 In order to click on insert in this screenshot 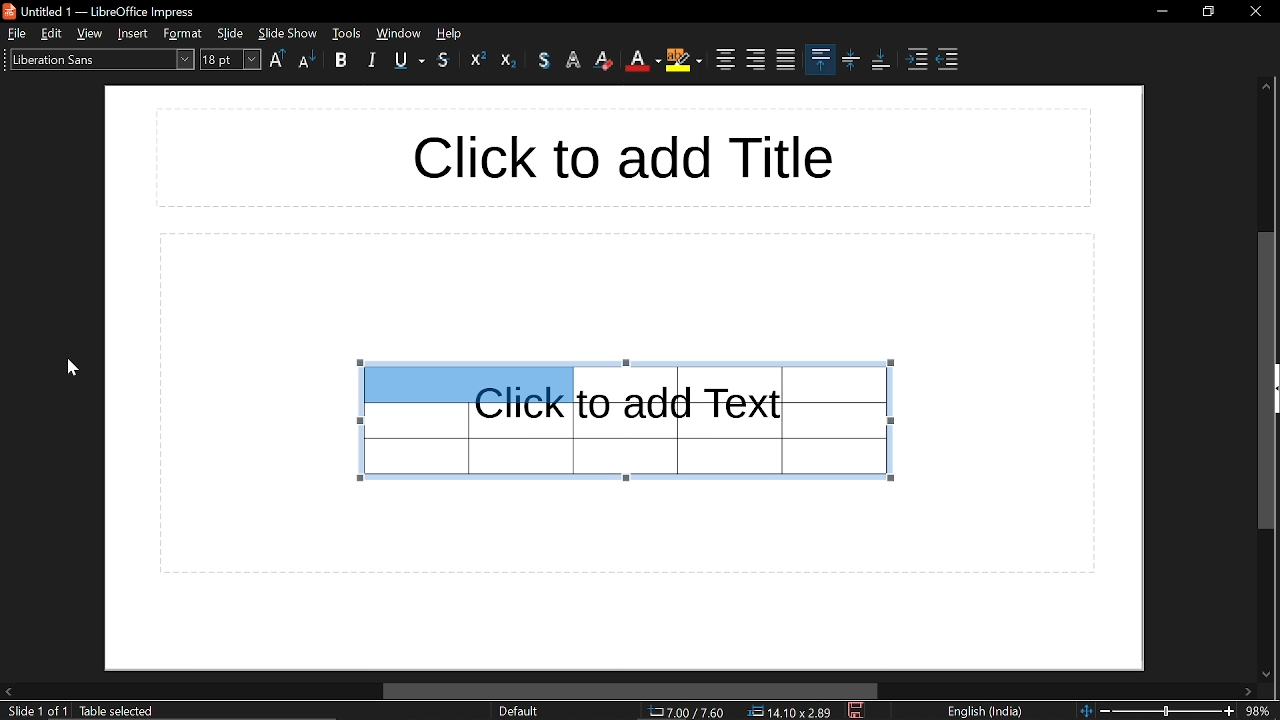, I will do `click(134, 33)`.